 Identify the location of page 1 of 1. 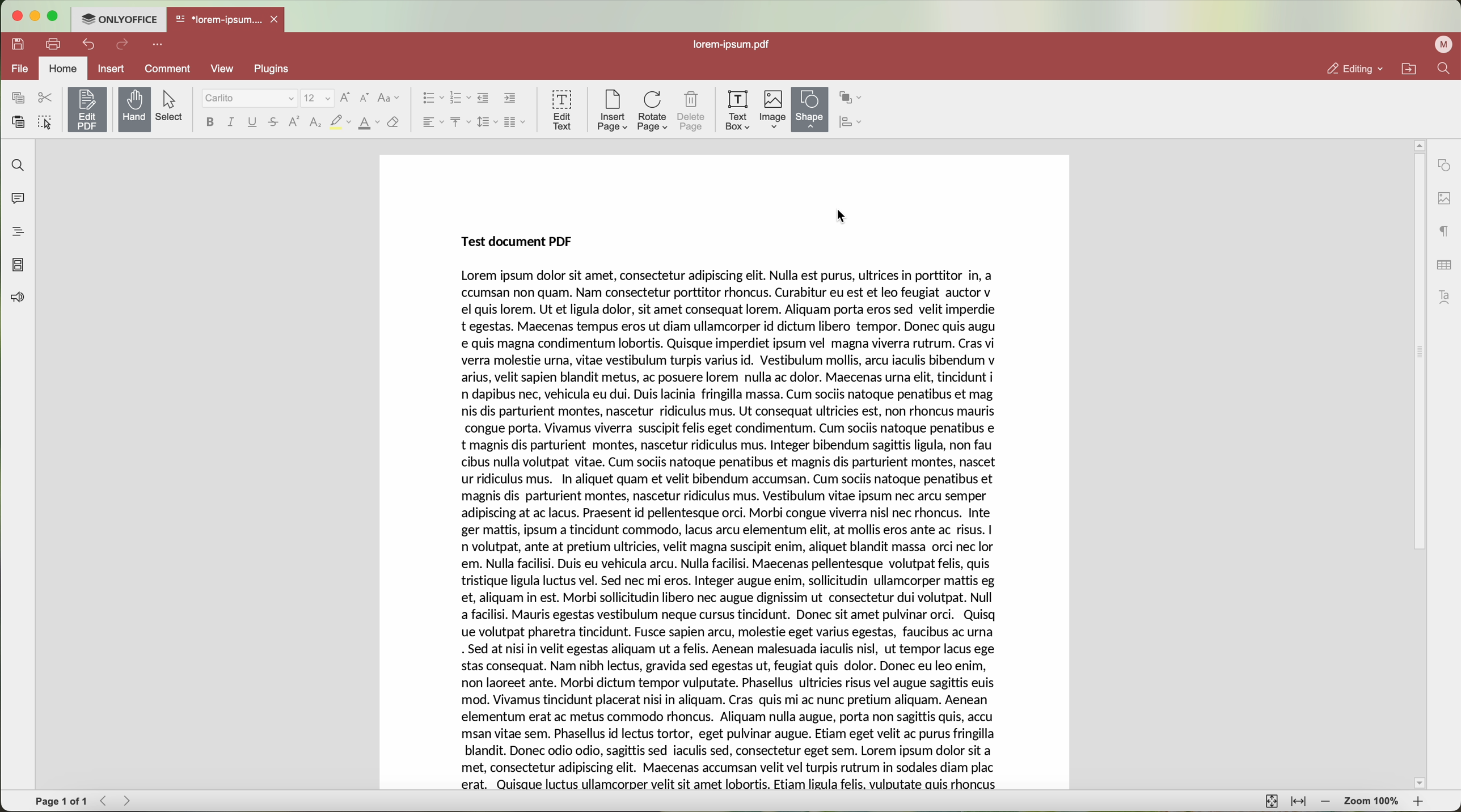
(62, 802).